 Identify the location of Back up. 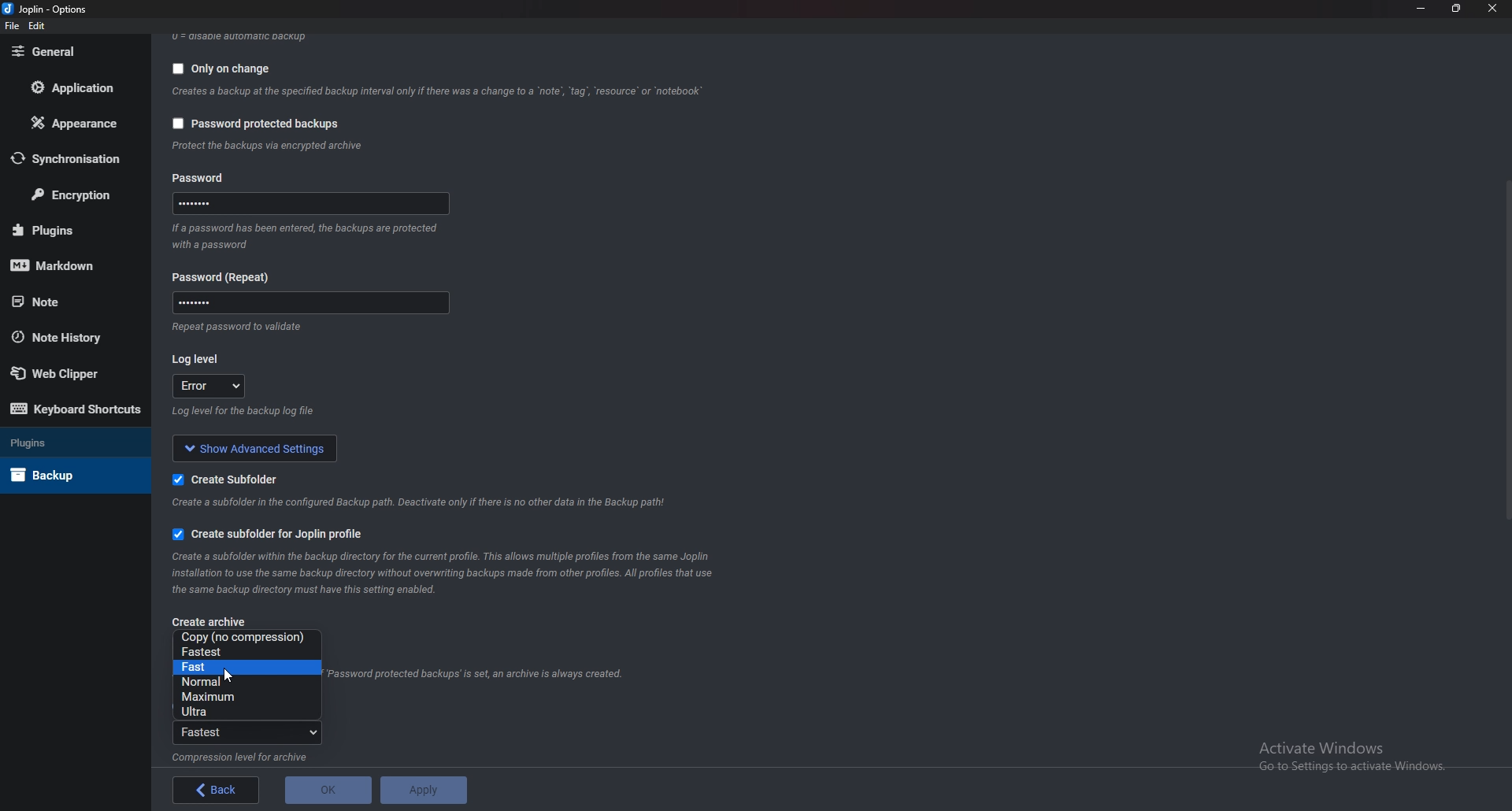
(58, 475).